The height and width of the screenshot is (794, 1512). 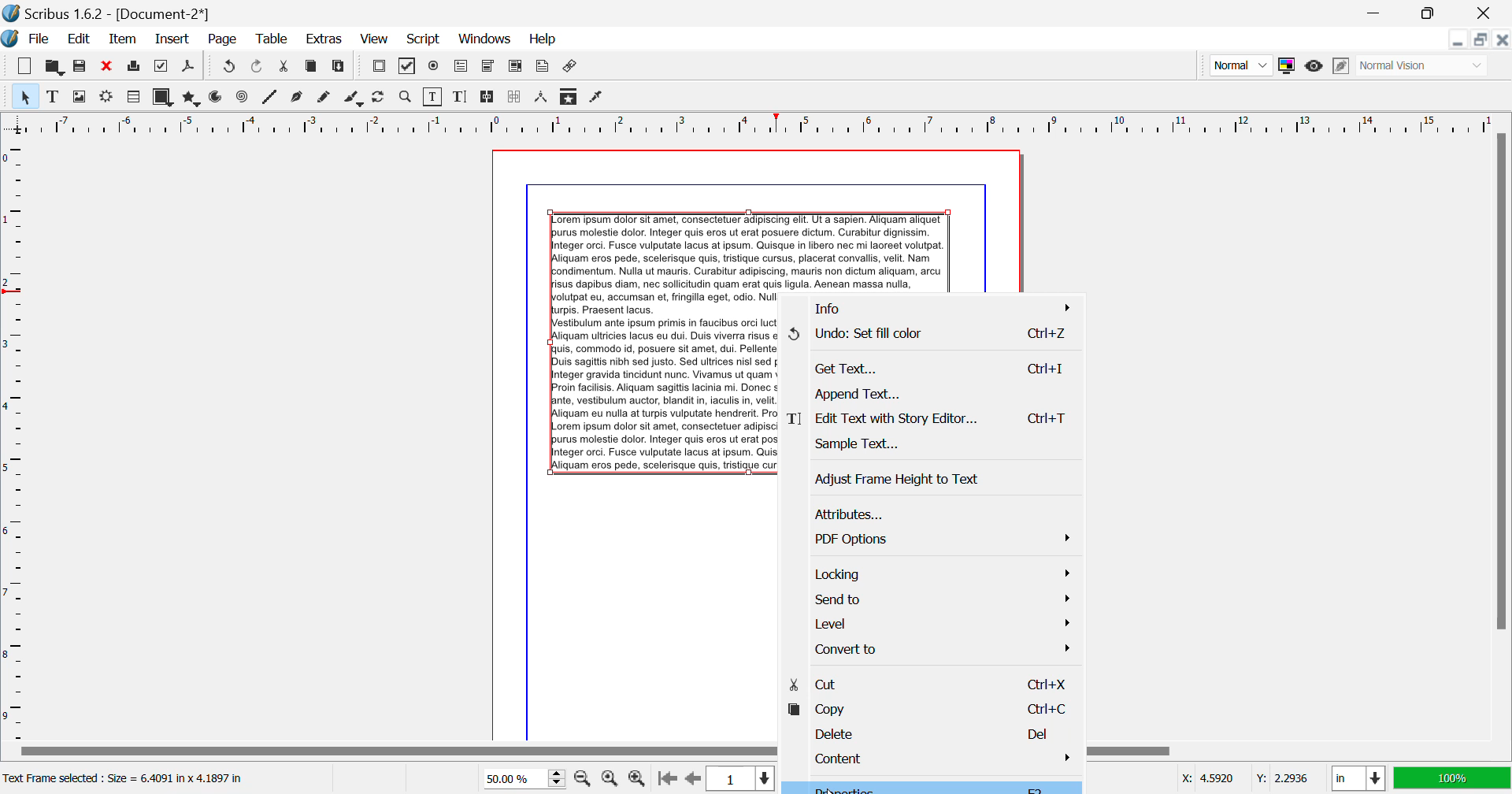 I want to click on Level, so click(x=928, y=622).